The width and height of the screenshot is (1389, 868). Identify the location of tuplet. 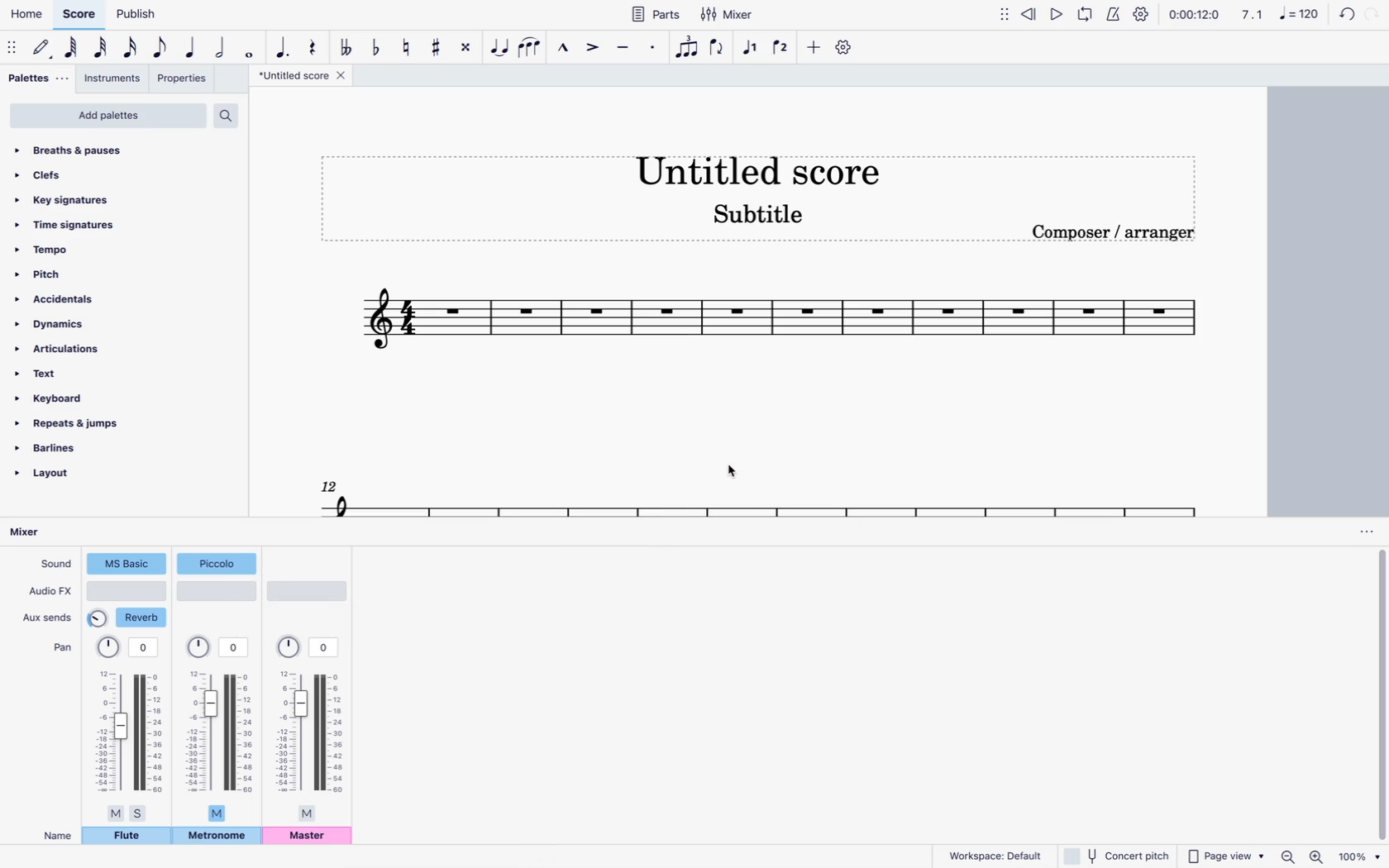
(686, 48).